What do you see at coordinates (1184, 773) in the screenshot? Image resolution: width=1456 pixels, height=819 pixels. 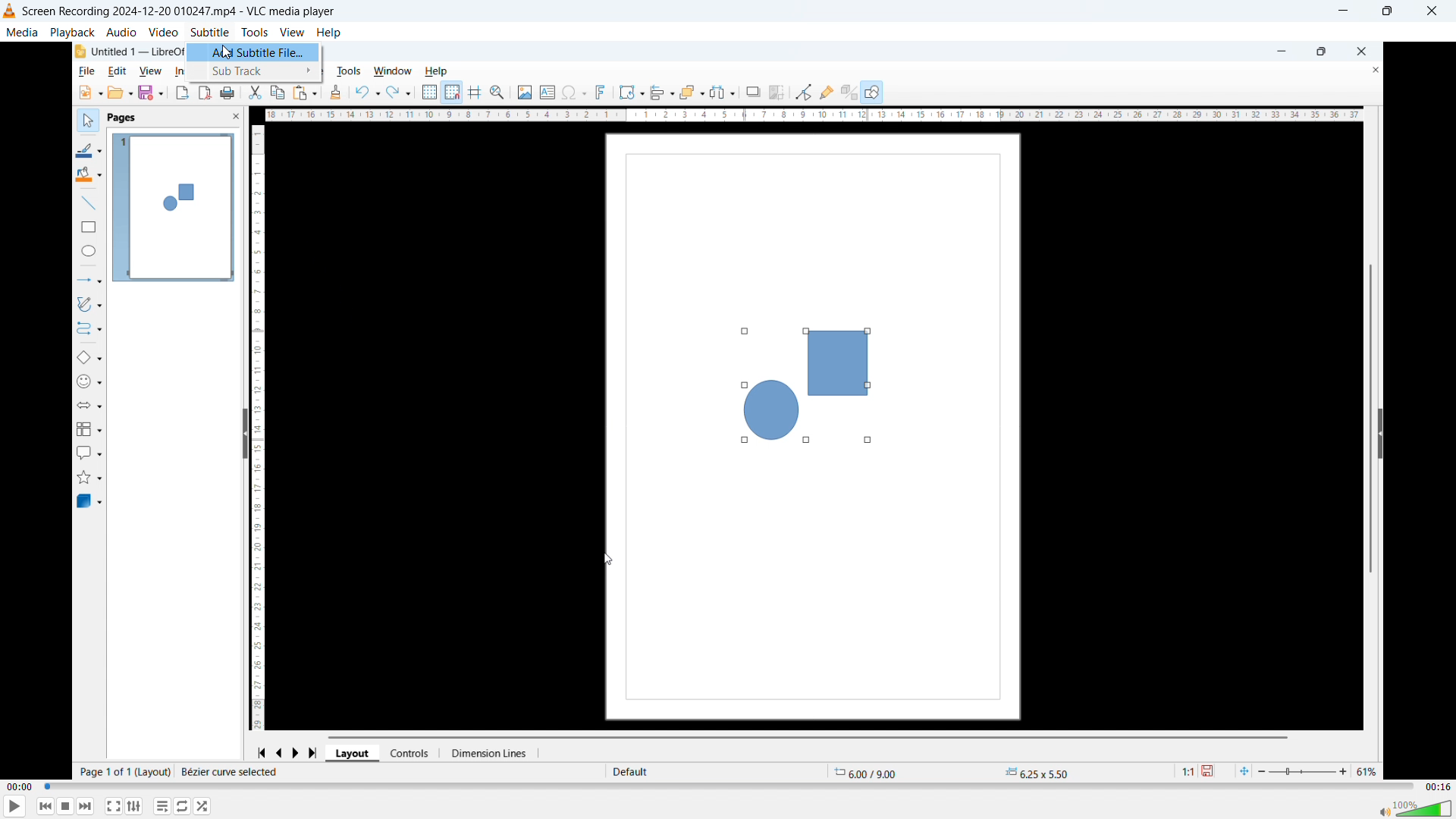 I see `scalling factor of the document` at bounding box center [1184, 773].